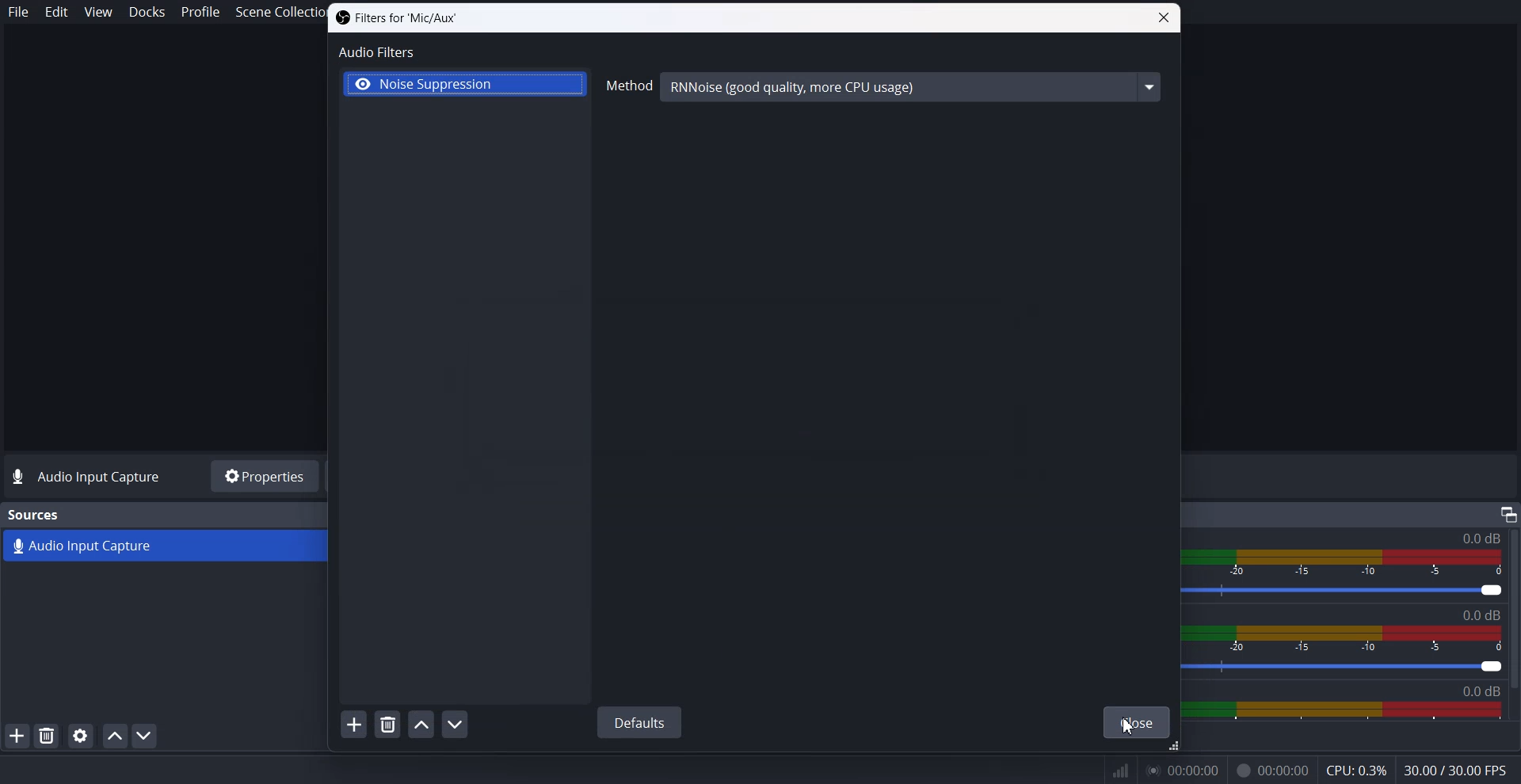  I want to click on Close, so click(1137, 723).